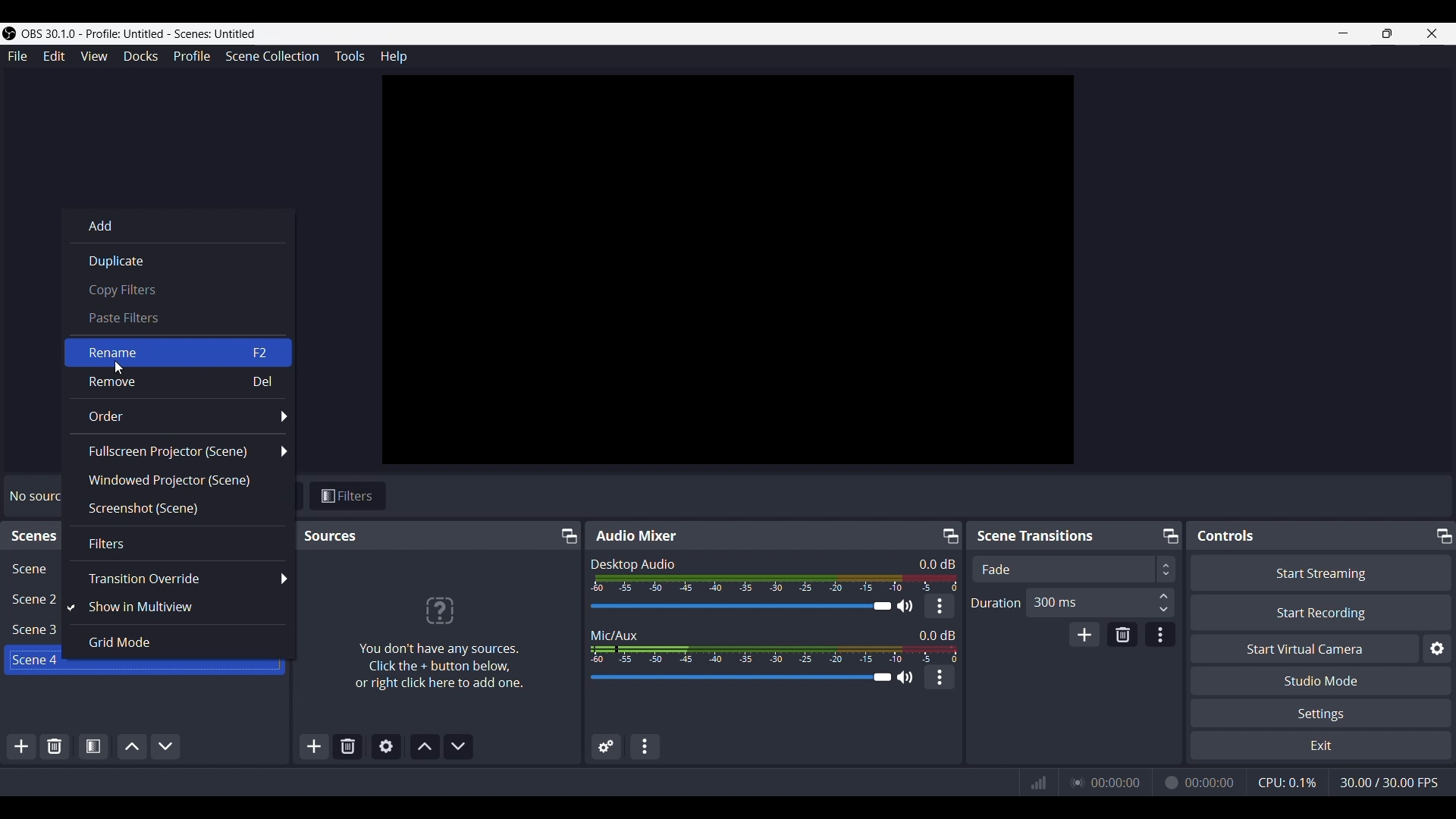  I want to click on Screenshot (scene), so click(145, 508).